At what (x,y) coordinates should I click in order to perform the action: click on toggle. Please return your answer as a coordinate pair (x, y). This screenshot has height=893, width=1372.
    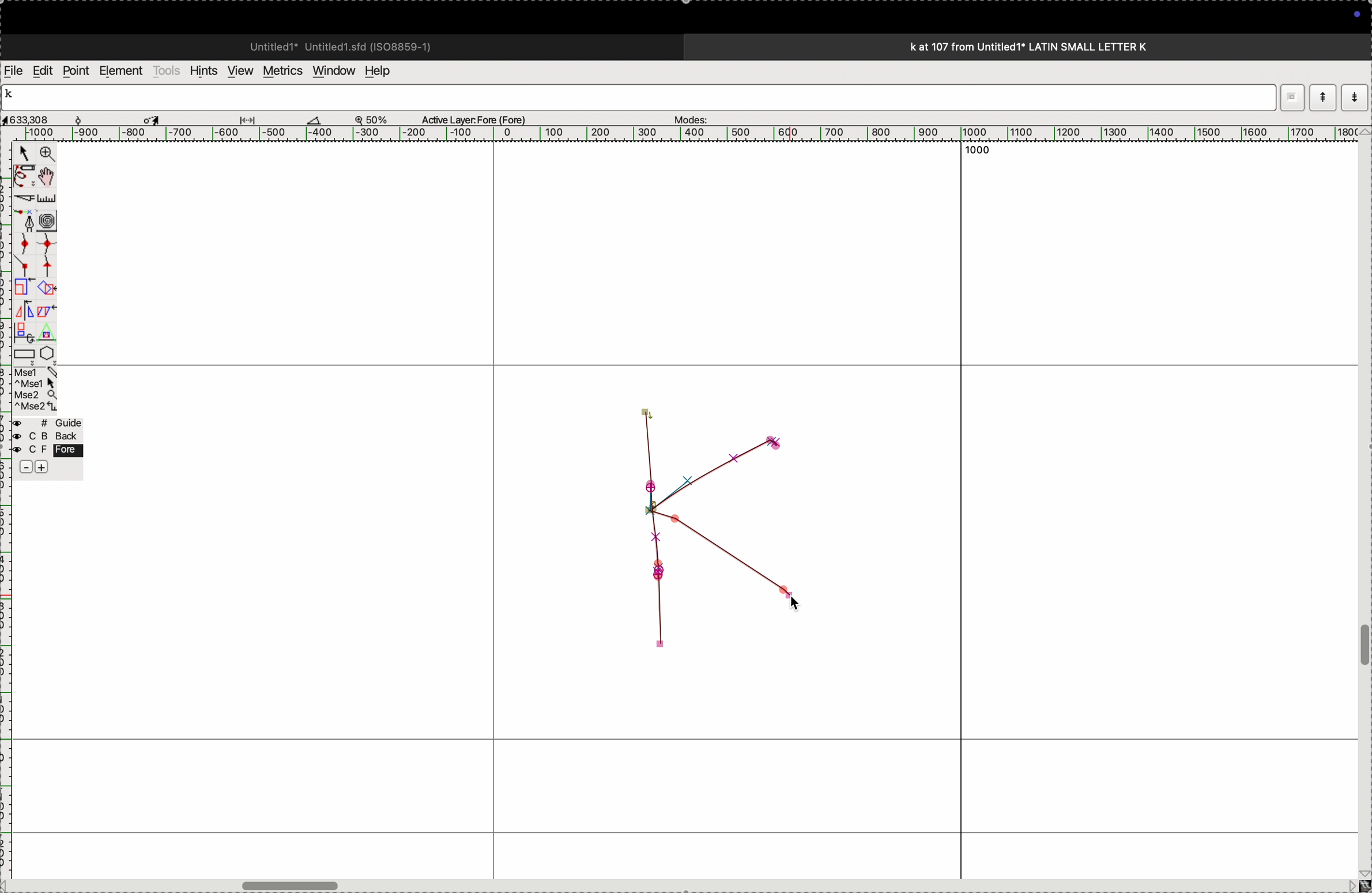
    Looking at the image, I should click on (50, 176).